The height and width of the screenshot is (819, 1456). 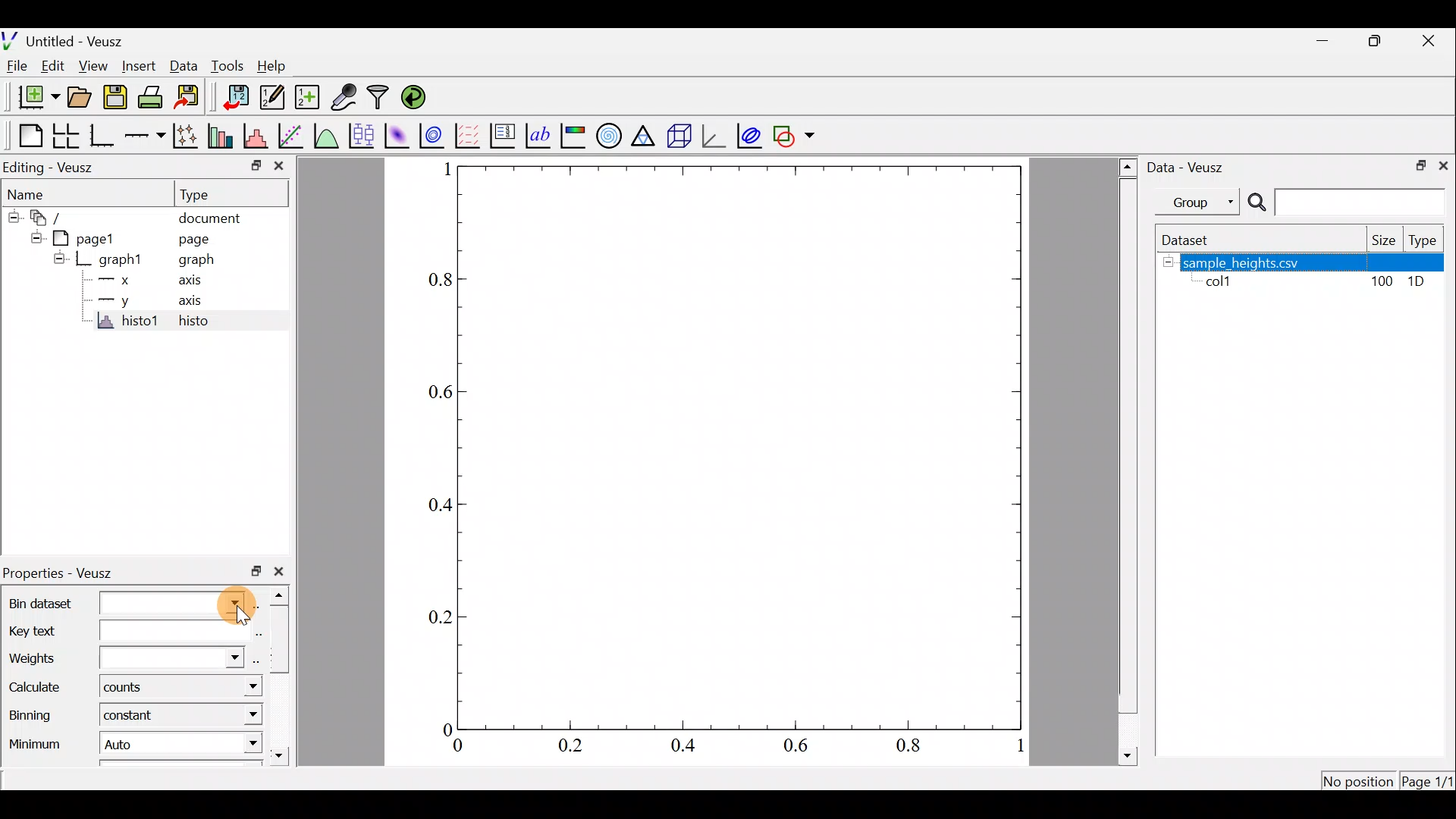 What do you see at coordinates (277, 69) in the screenshot?
I see `Help` at bounding box center [277, 69].